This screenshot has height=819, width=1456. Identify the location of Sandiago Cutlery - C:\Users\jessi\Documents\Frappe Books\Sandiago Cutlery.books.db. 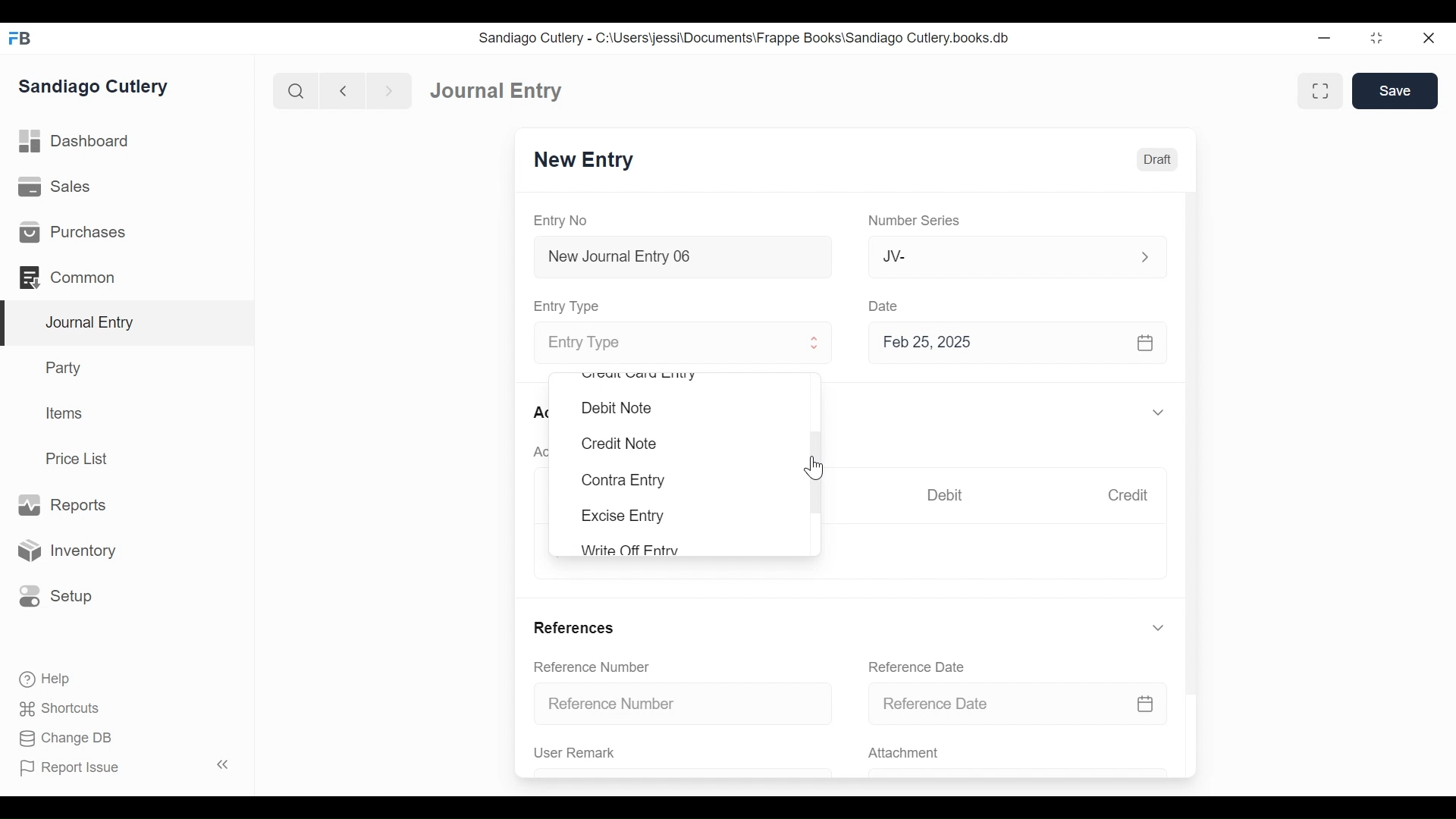
(745, 38).